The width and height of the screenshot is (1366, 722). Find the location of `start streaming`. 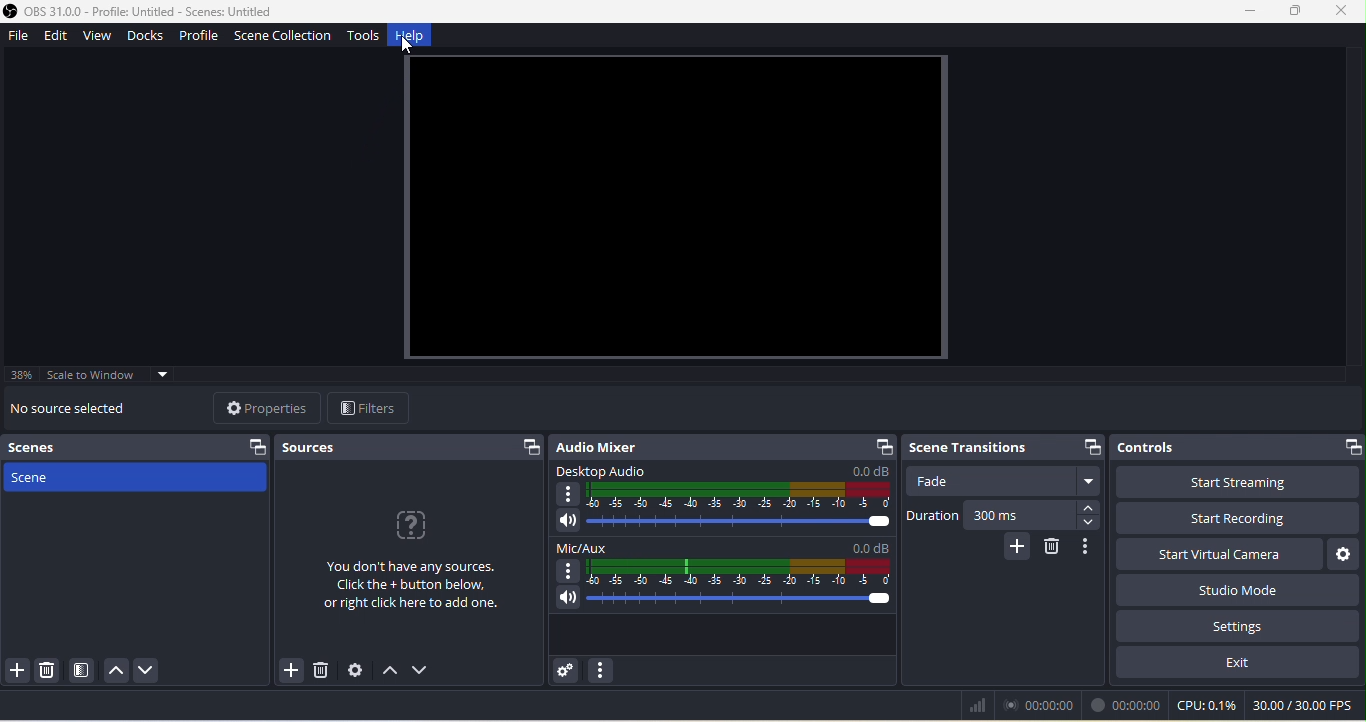

start streaming is located at coordinates (1239, 482).